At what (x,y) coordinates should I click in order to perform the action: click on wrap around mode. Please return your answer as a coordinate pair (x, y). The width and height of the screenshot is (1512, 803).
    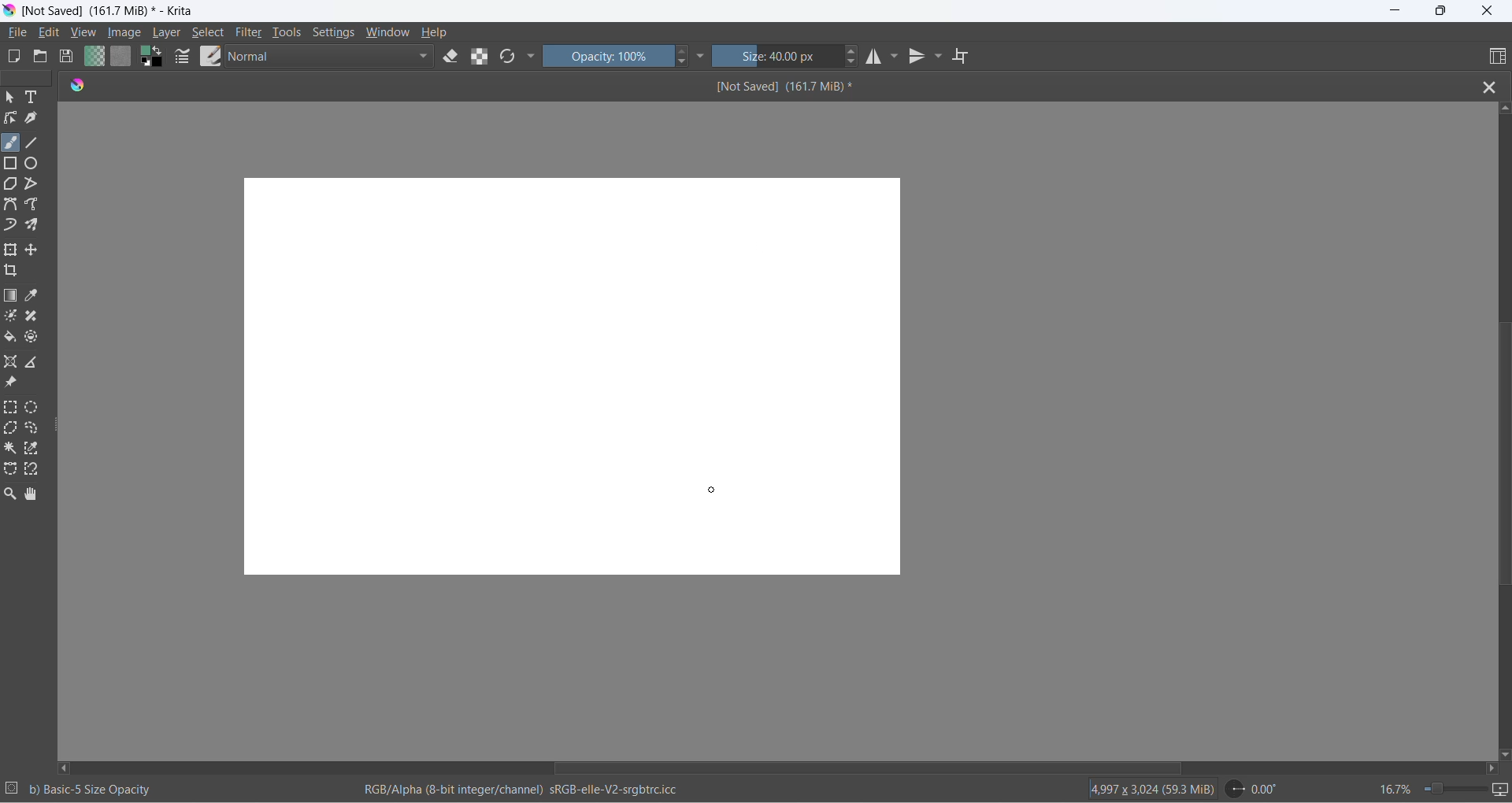
    Looking at the image, I should click on (967, 57).